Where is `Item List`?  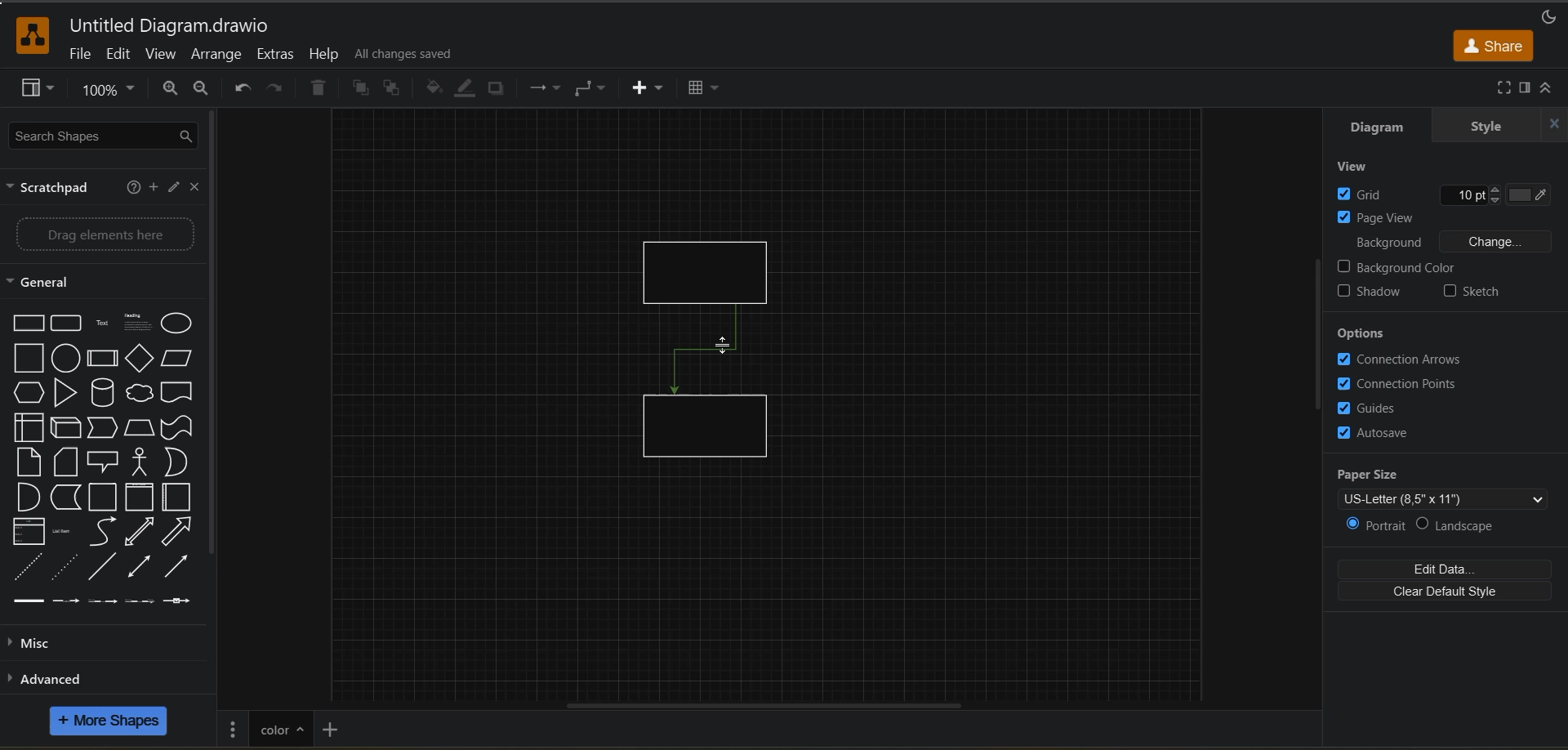 Item List is located at coordinates (69, 532).